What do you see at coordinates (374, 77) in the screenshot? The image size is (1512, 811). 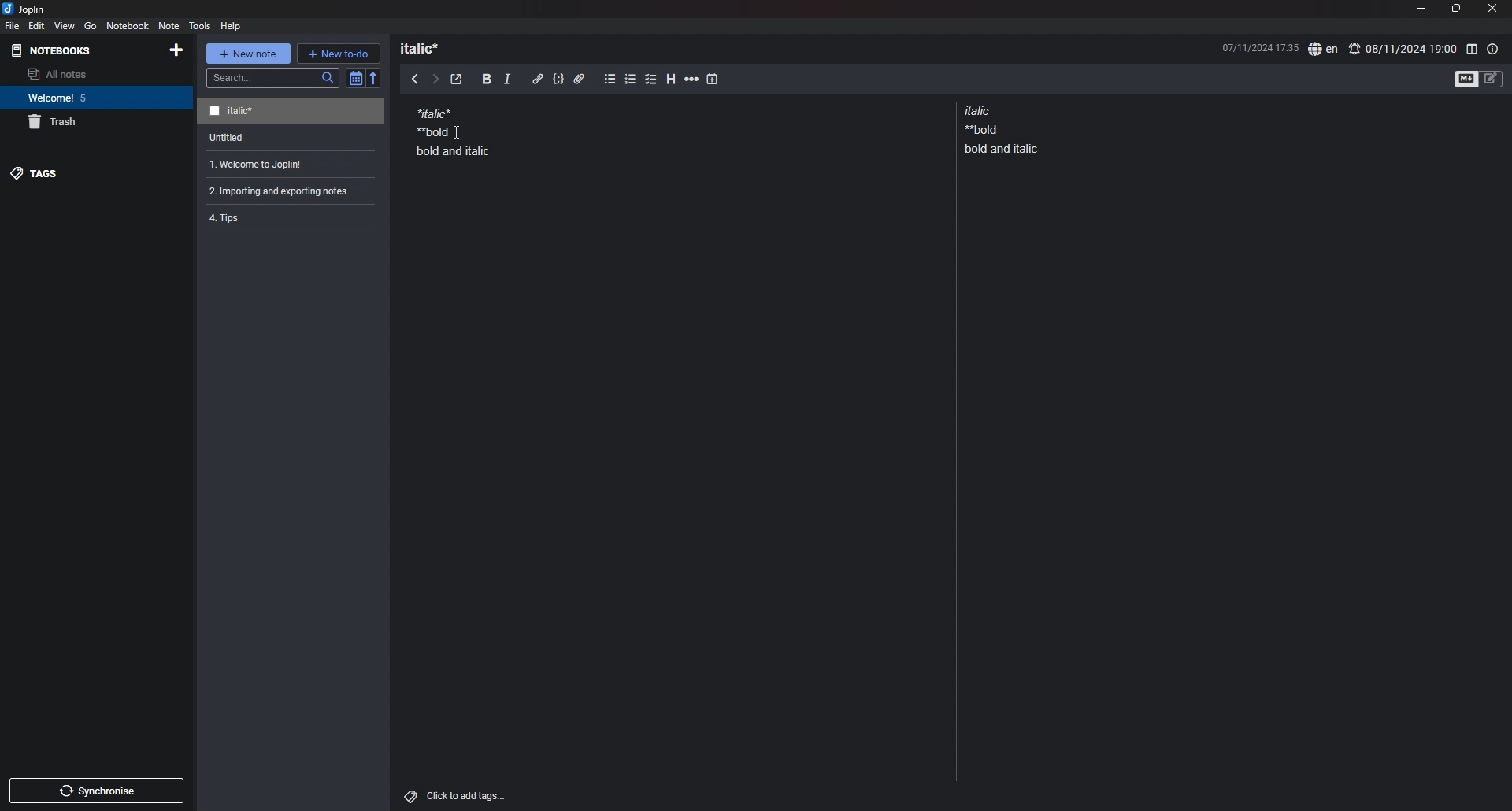 I see `reverse sort order` at bounding box center [374, 77].